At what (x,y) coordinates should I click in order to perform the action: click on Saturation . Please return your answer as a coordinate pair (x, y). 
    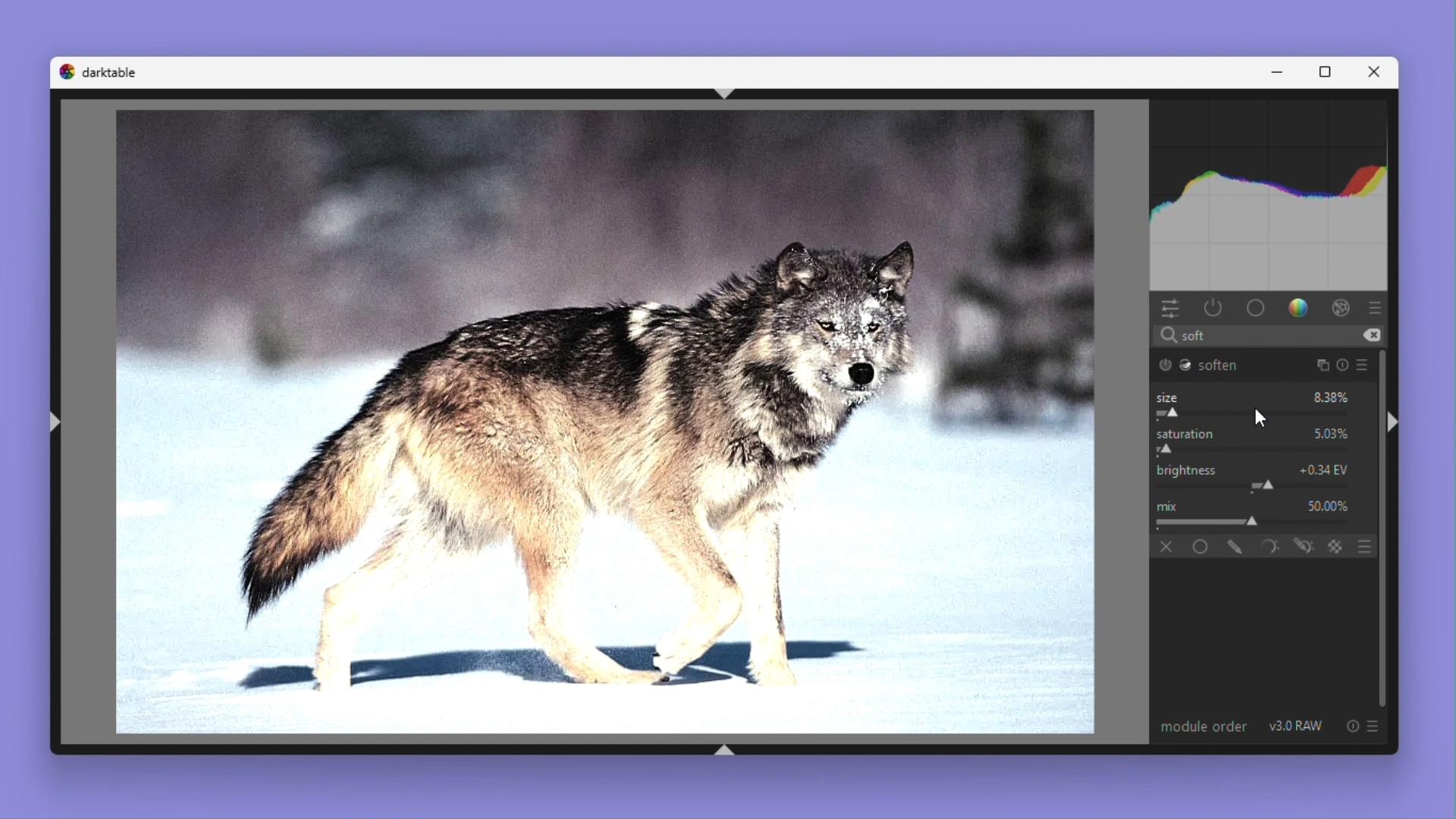
    Looking at the image, I should click on (1189, 434).